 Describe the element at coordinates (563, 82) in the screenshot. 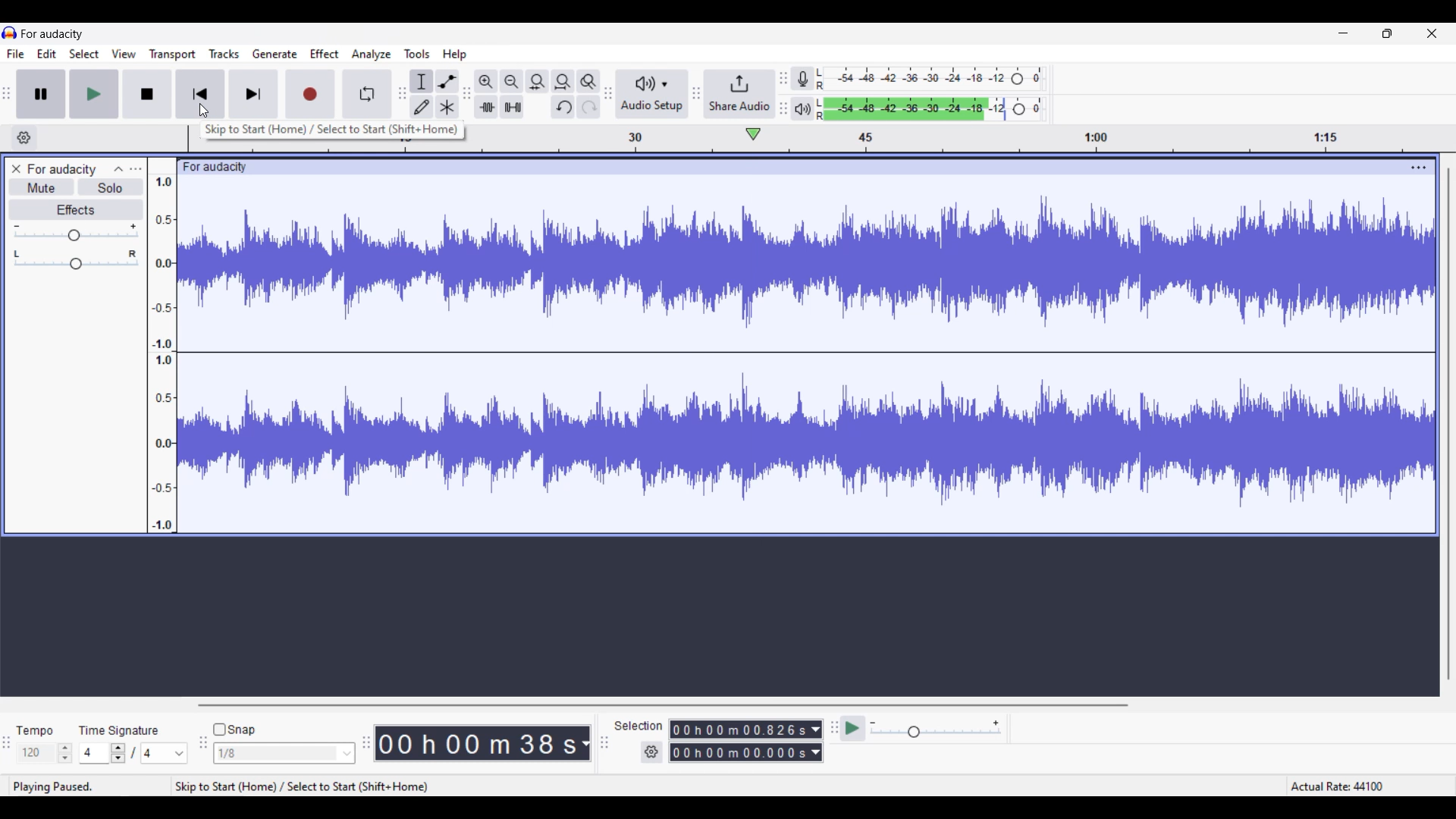

I see `Fit project to width ` at that location.